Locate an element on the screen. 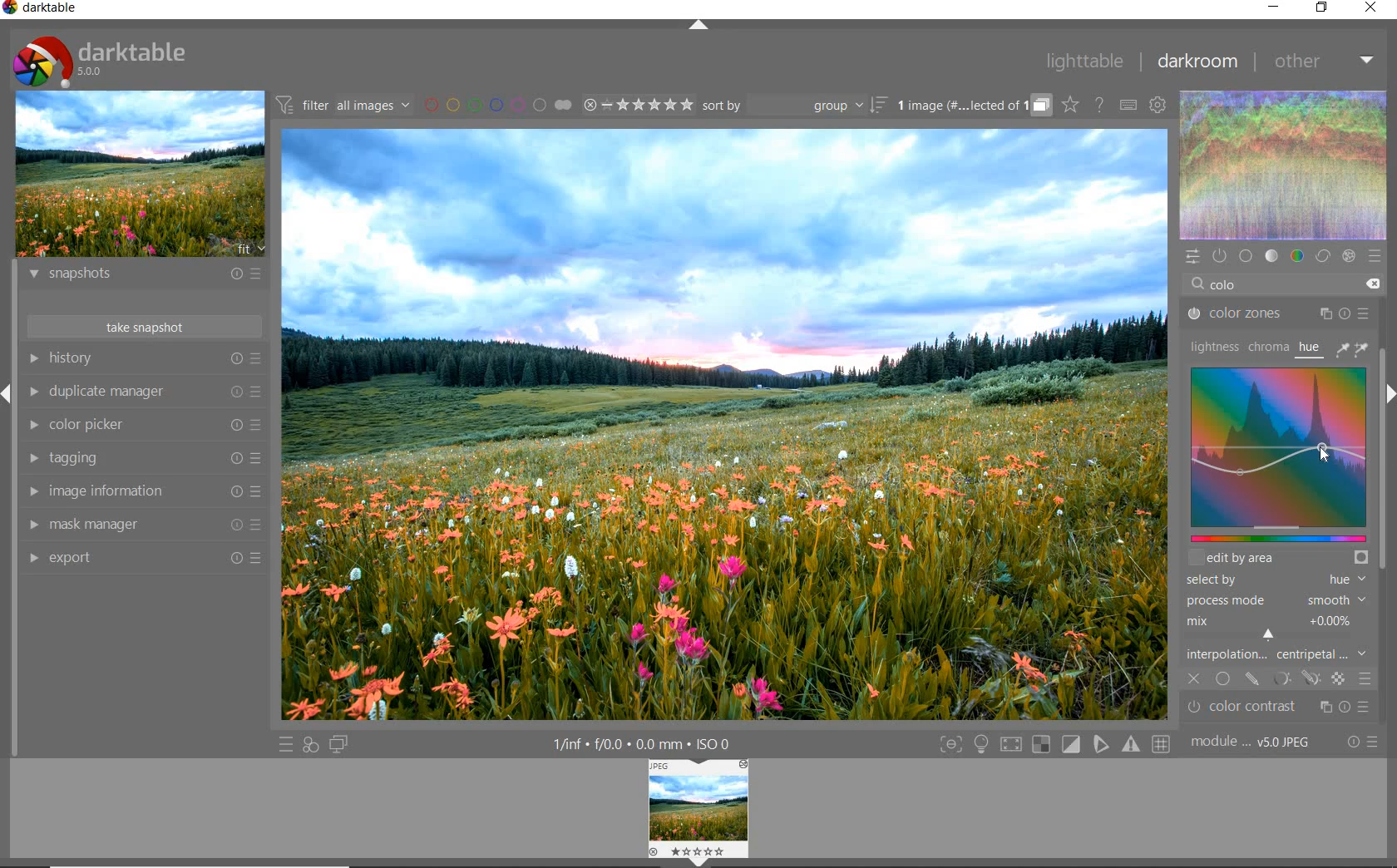 The image size is (1397, 868). quick access for applying any of your styles is located at coordinates (311, 745).